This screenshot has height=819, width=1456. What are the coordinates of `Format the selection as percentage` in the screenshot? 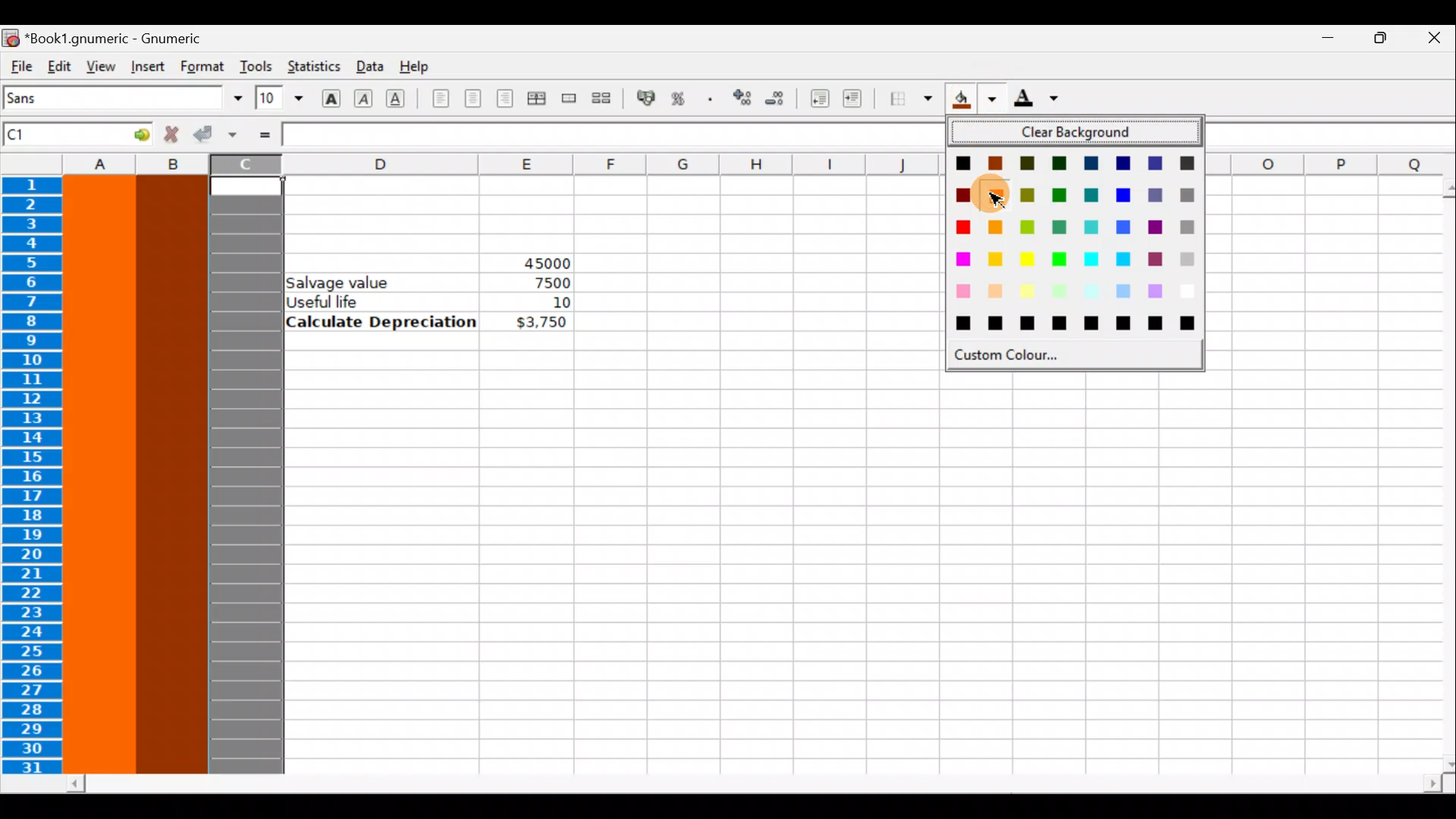 It's located at (681, 101).